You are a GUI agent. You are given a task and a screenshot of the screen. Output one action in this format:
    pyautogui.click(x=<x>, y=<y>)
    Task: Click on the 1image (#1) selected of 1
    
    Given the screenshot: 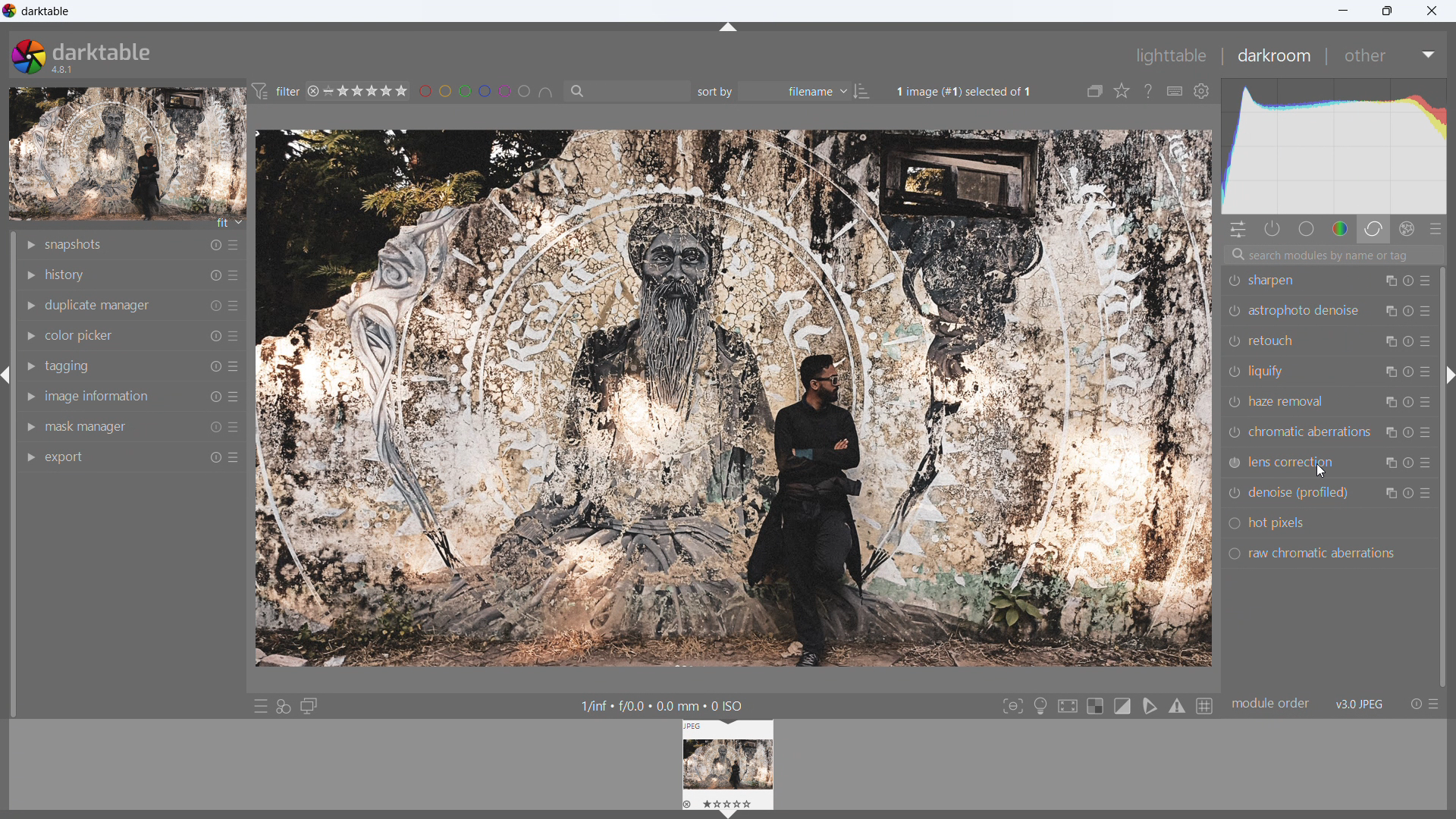 What is the action you would take?
    pyautogui.click(x=965, y=94)
    